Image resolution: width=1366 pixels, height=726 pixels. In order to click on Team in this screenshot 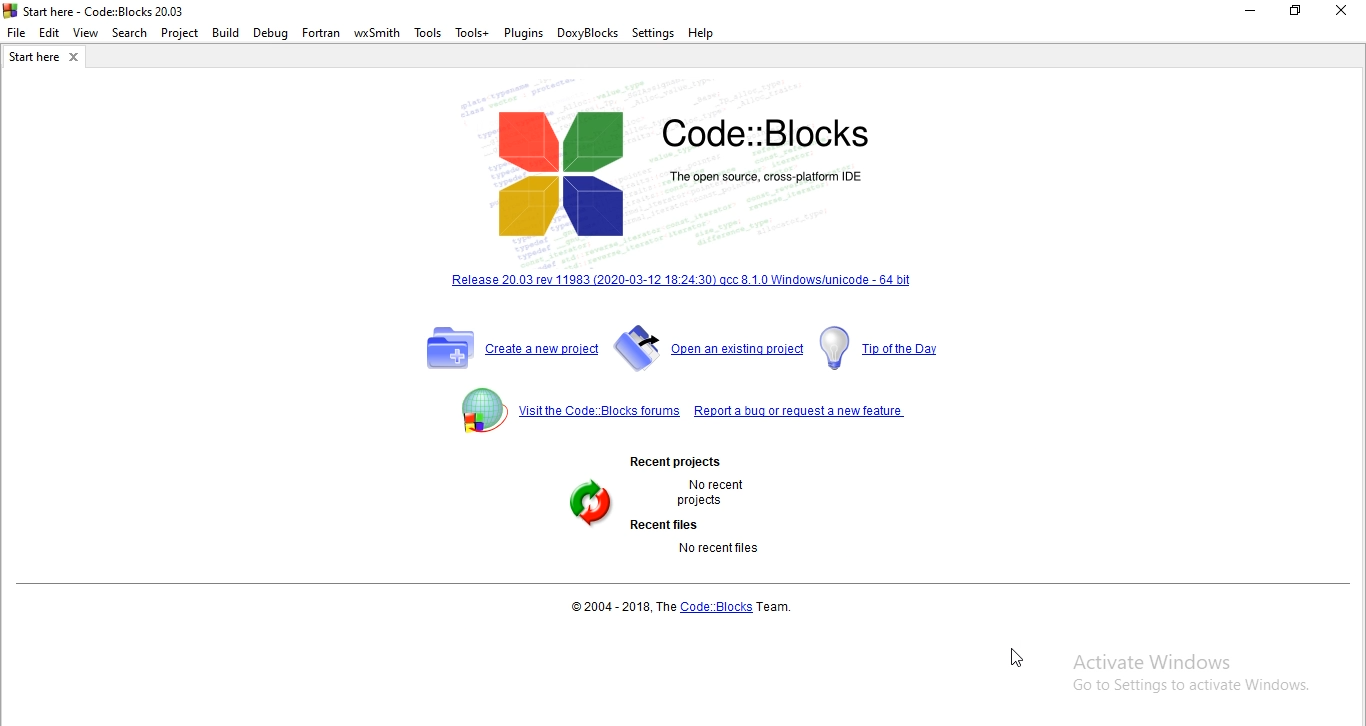, I will do `click(774, 606)`.